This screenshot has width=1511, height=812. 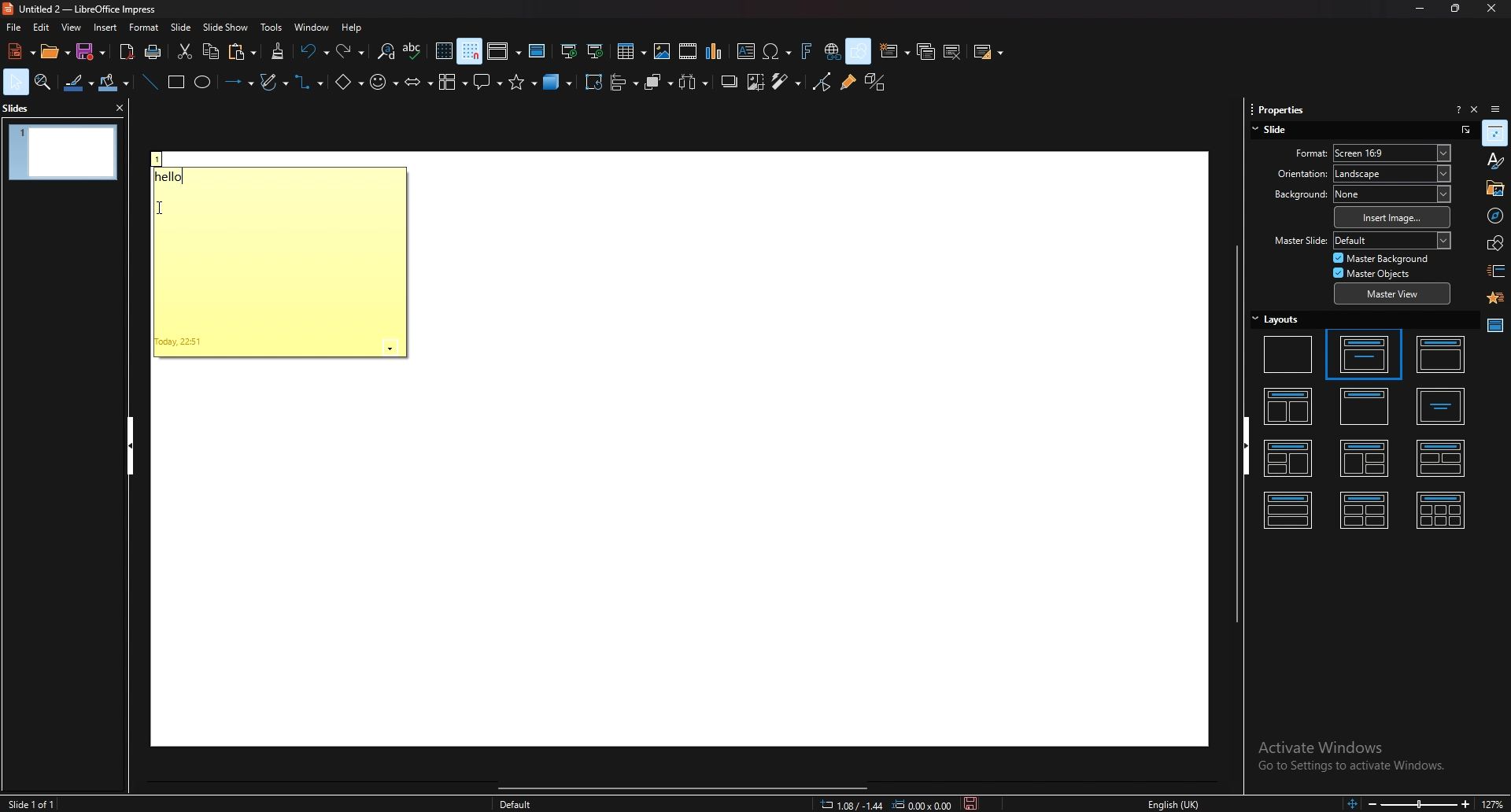 I want to click on align objects, so click(x=625, y=82).